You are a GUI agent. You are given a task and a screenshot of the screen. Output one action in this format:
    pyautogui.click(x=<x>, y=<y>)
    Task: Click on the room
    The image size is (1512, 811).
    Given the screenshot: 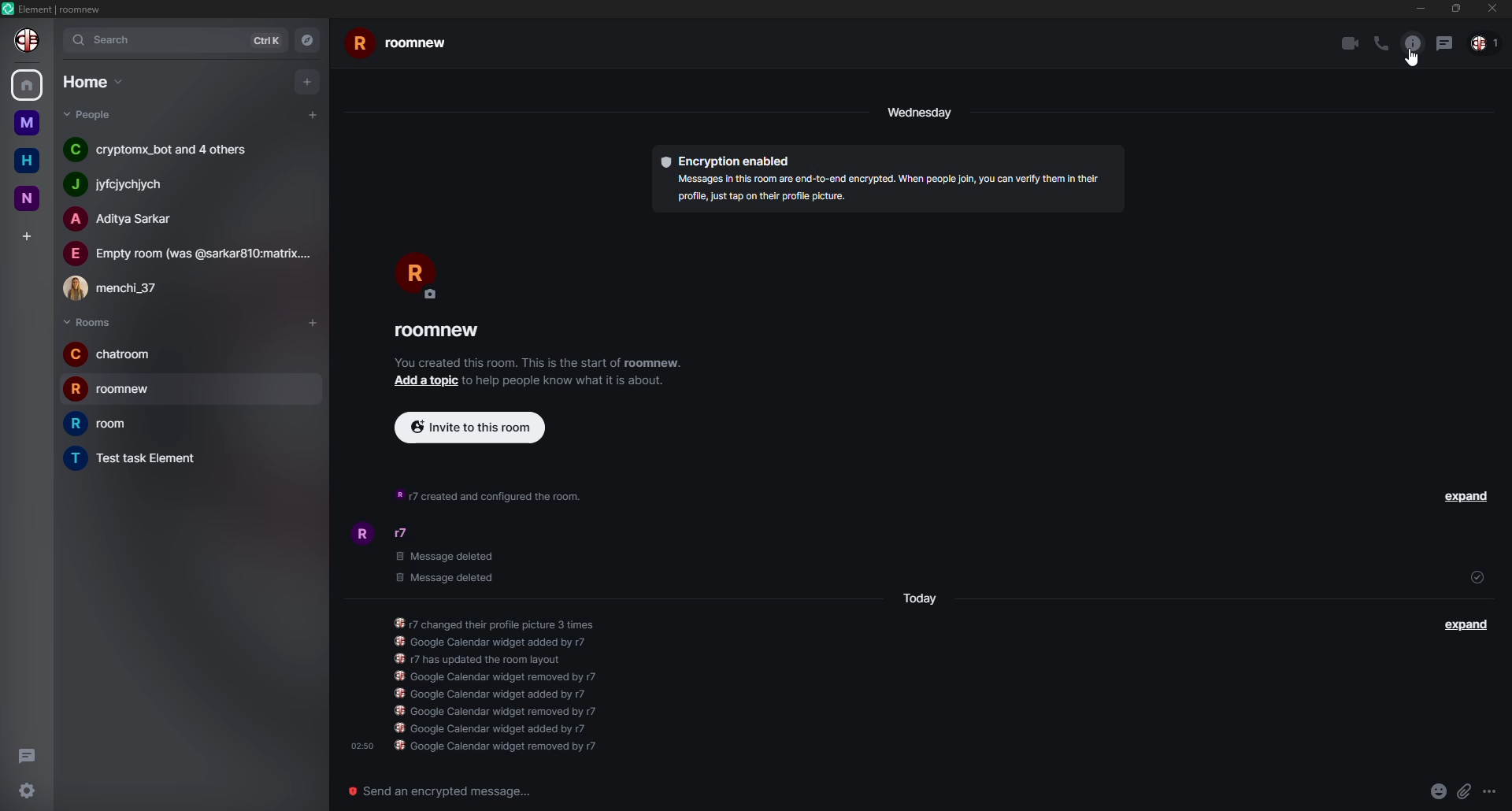 What is the action you would take?
    pyautogui.click(x=400, y=45)
    